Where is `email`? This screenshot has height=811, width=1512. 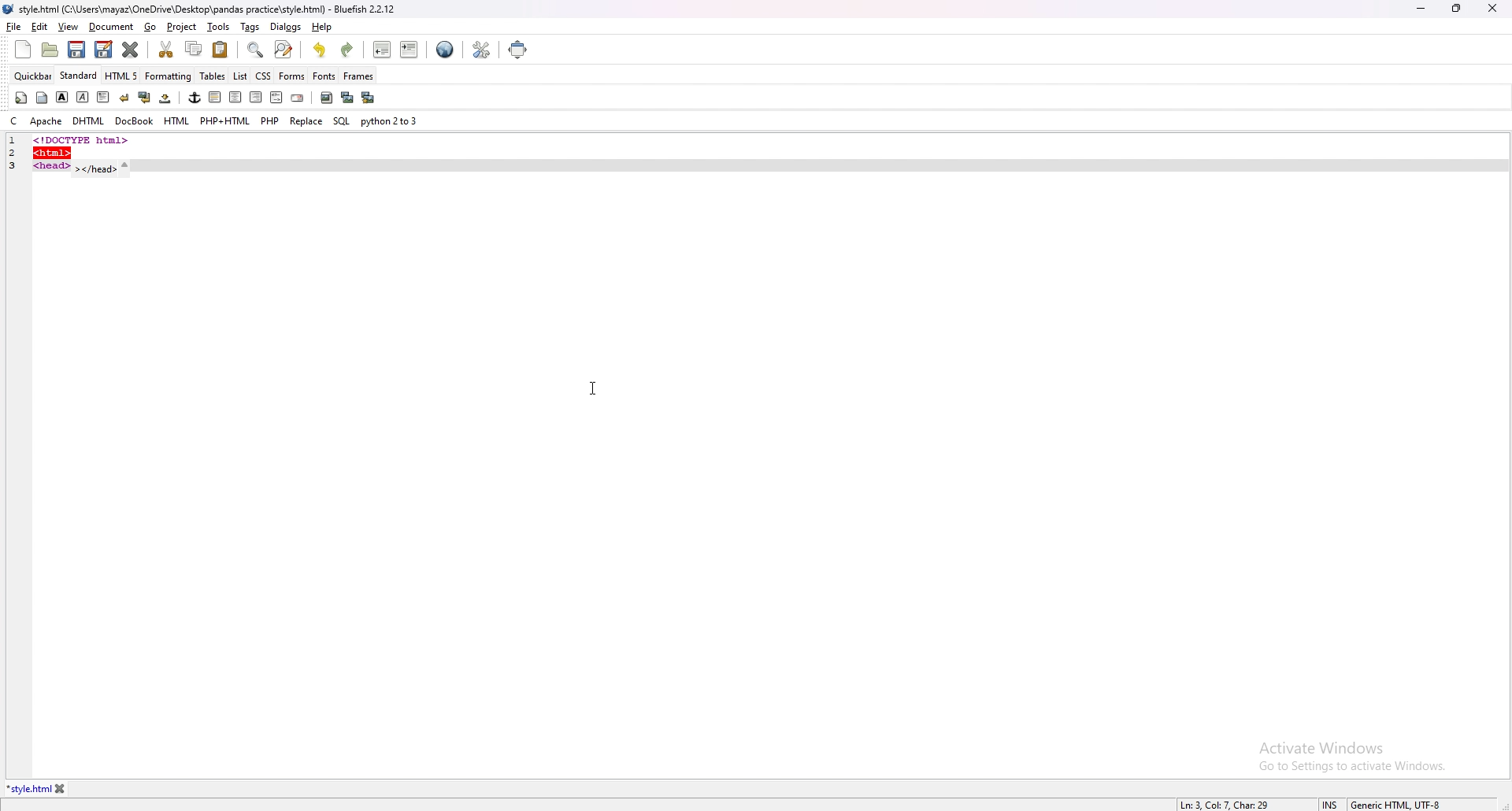
email is located at coordinates (297, 98).